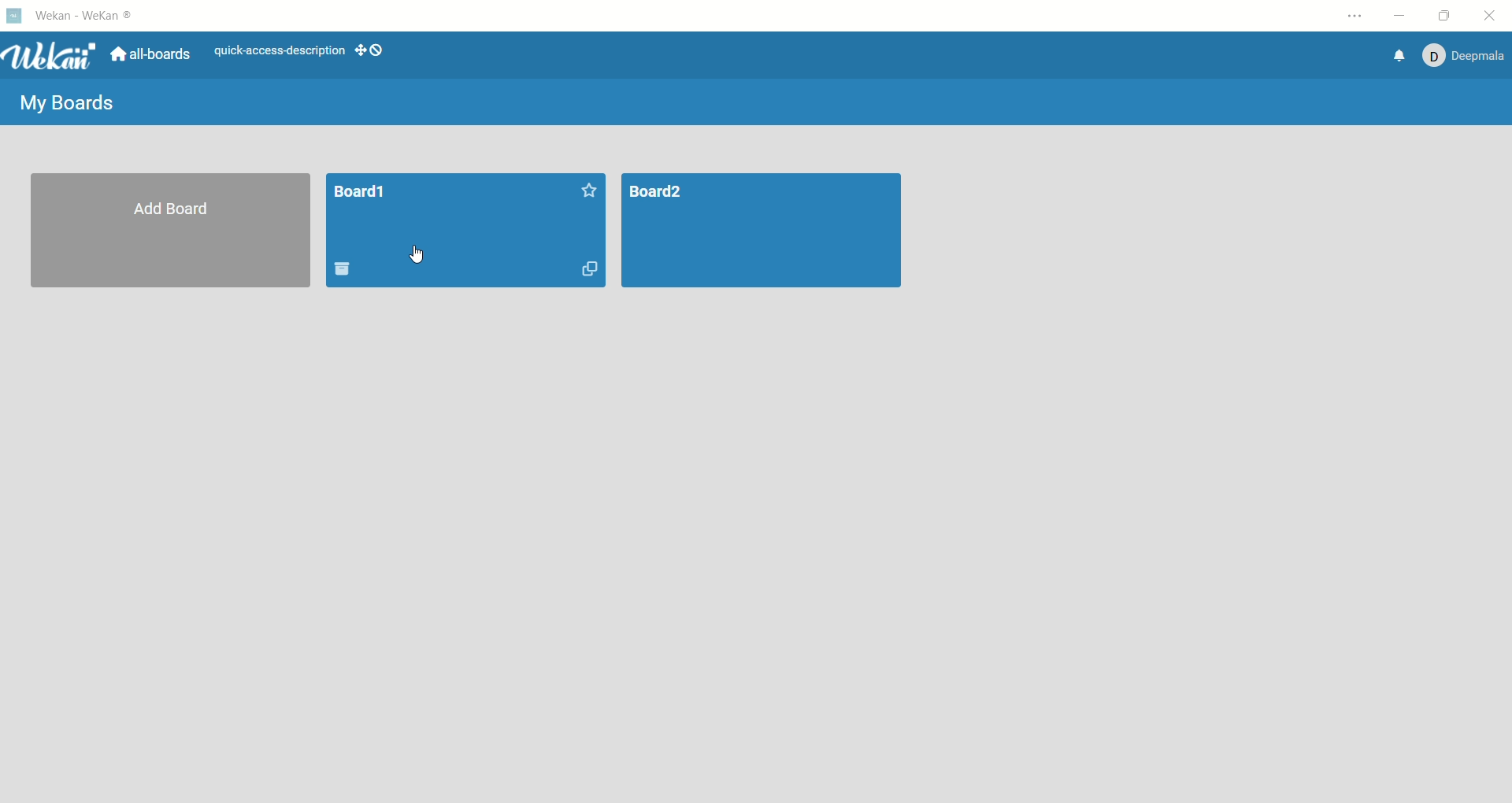 This screenshot has width=1512, height=803. What do you see at coordinates (413, 256) in the screenshot?
I see `cursor` at bounding box center [413, 256].